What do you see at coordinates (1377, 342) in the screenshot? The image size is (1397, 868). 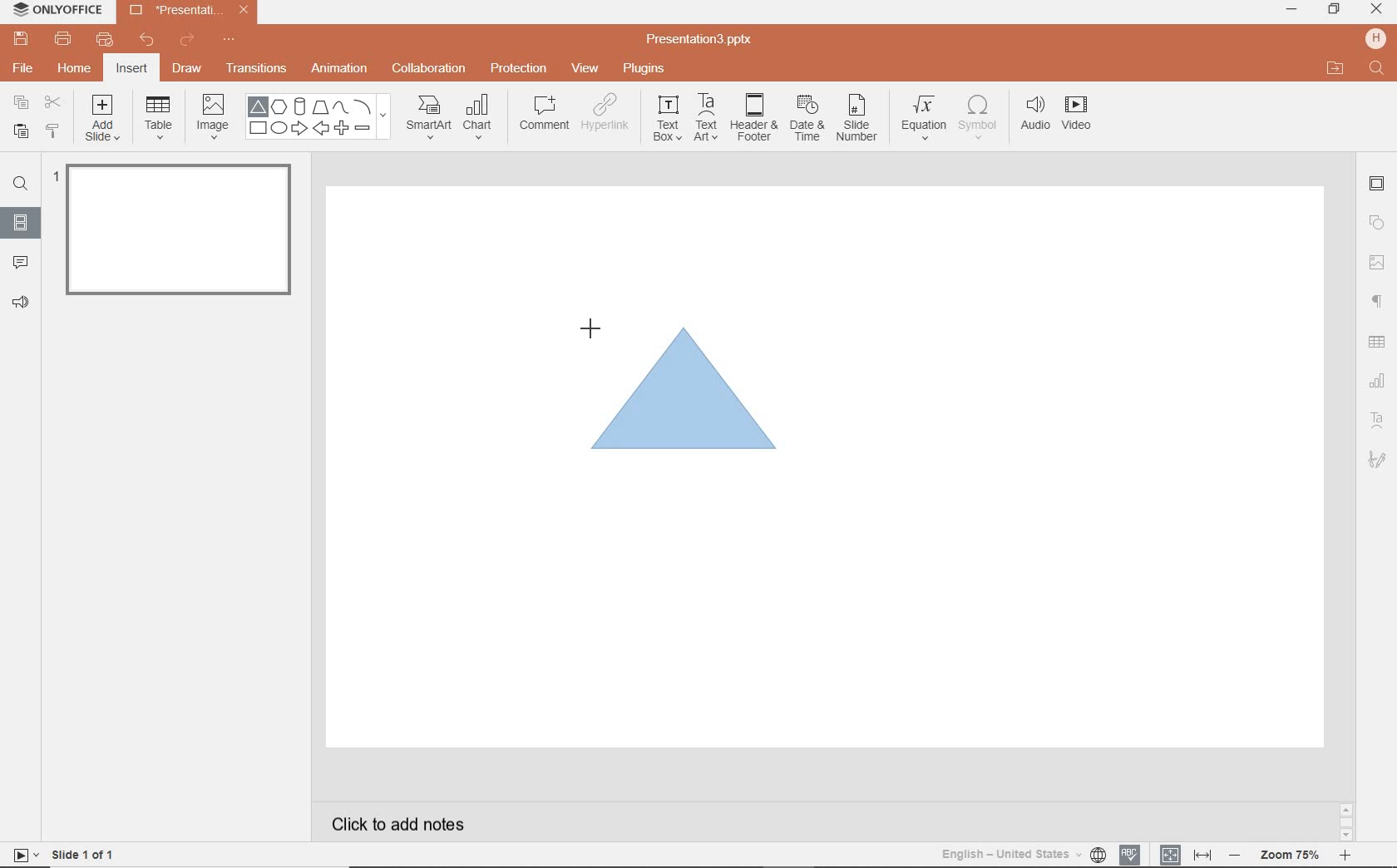 I see `TABLE SETTINGS` at bounding box center [1377, 342].